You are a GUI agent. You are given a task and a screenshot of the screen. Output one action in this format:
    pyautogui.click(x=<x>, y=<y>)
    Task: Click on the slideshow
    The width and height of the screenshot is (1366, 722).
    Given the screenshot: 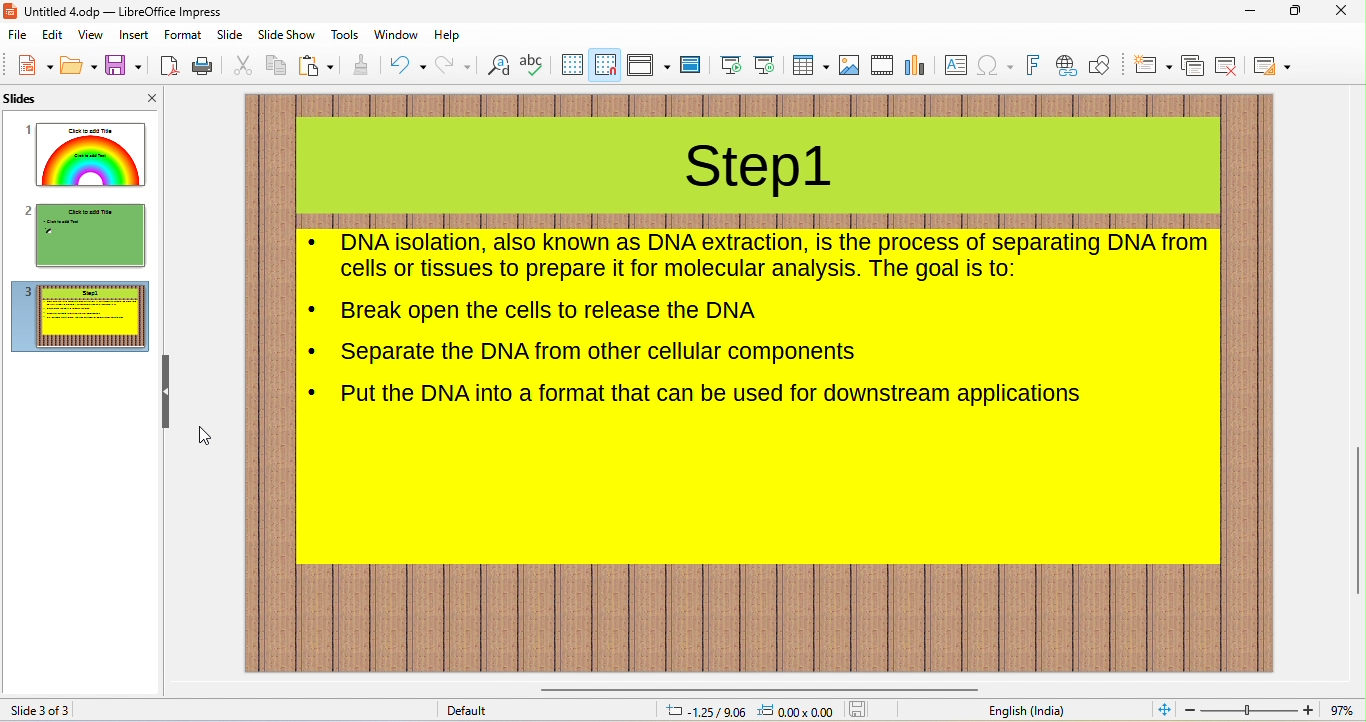 What is the action you would take?
    pyautogui.click(x=285, y=36)
    